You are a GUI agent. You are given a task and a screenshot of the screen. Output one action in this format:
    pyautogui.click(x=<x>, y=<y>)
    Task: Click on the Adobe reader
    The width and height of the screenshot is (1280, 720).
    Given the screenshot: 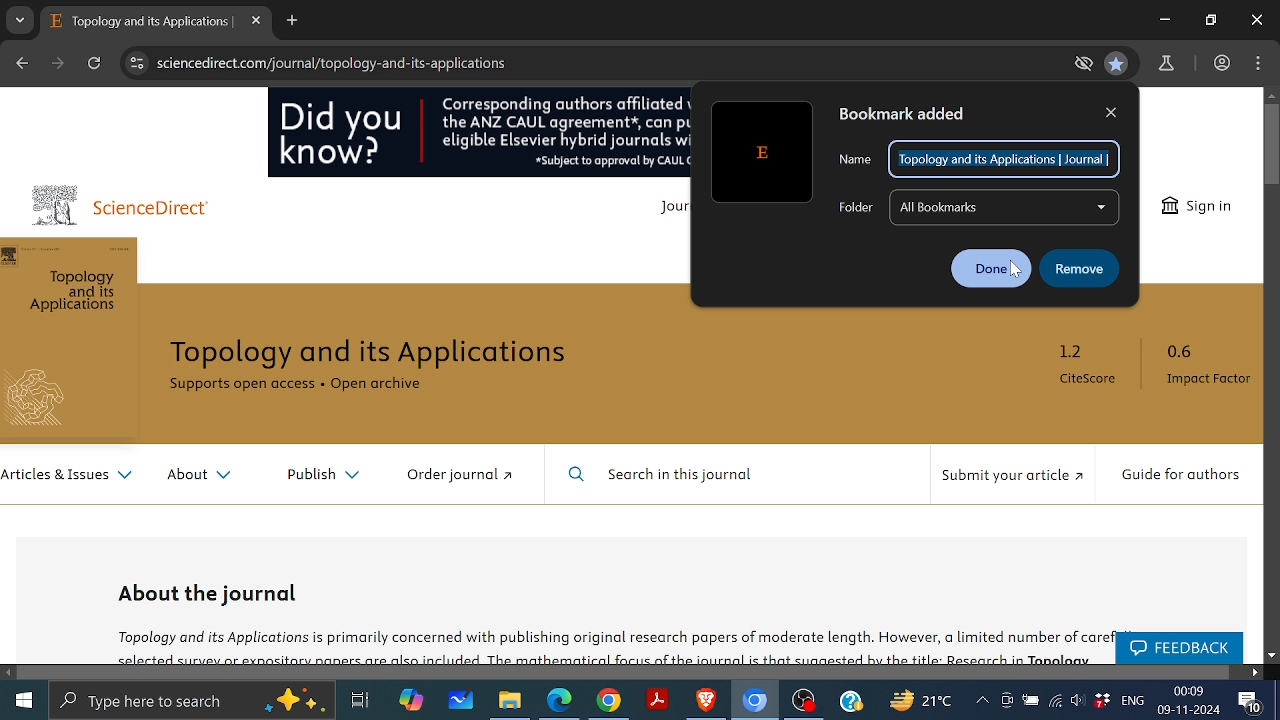 What is the action you would take?
    pyautogui.click(x=658, y=700)
    